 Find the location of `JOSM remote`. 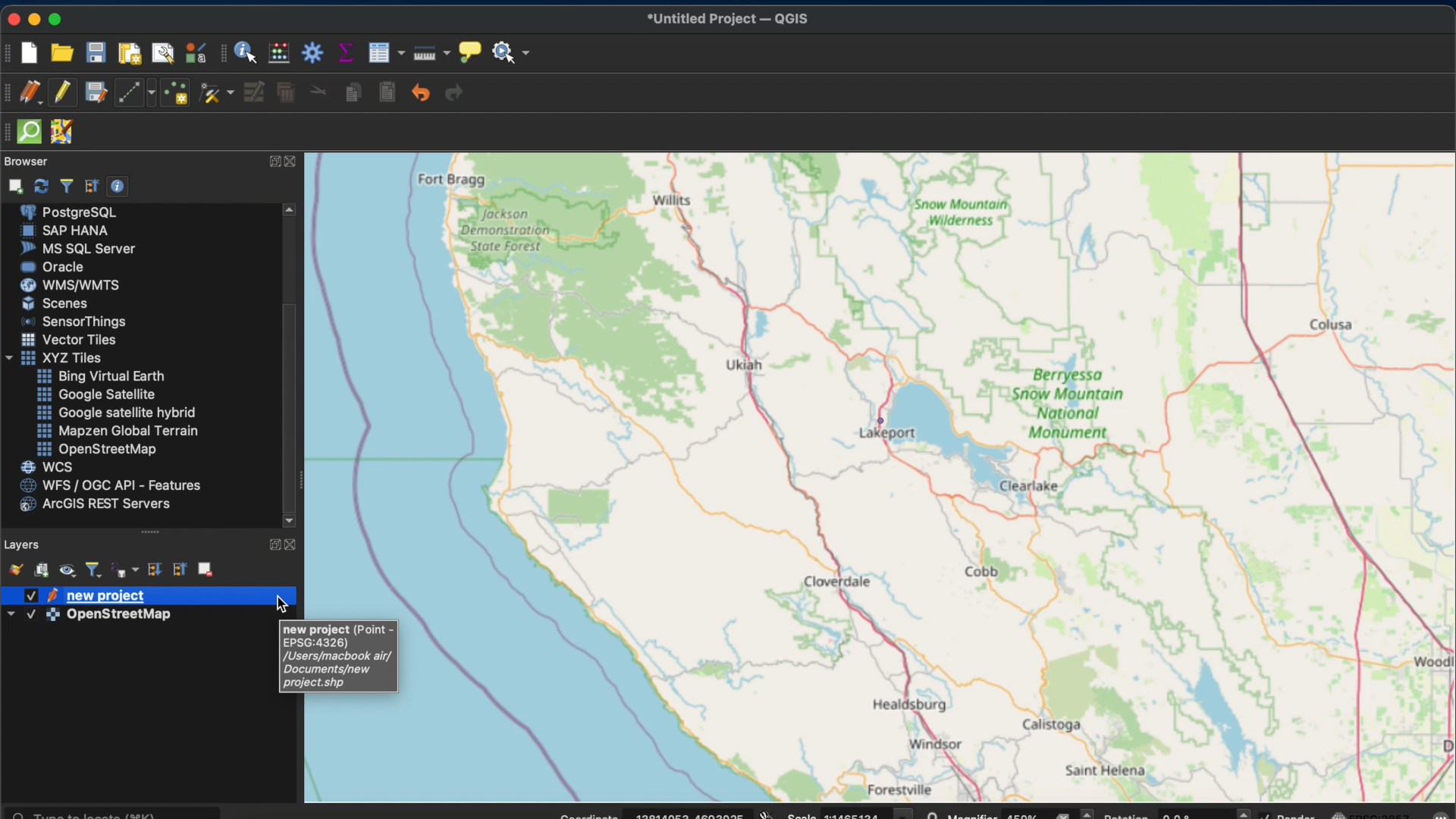

JOSM remote is located at coordinates (61, 132).